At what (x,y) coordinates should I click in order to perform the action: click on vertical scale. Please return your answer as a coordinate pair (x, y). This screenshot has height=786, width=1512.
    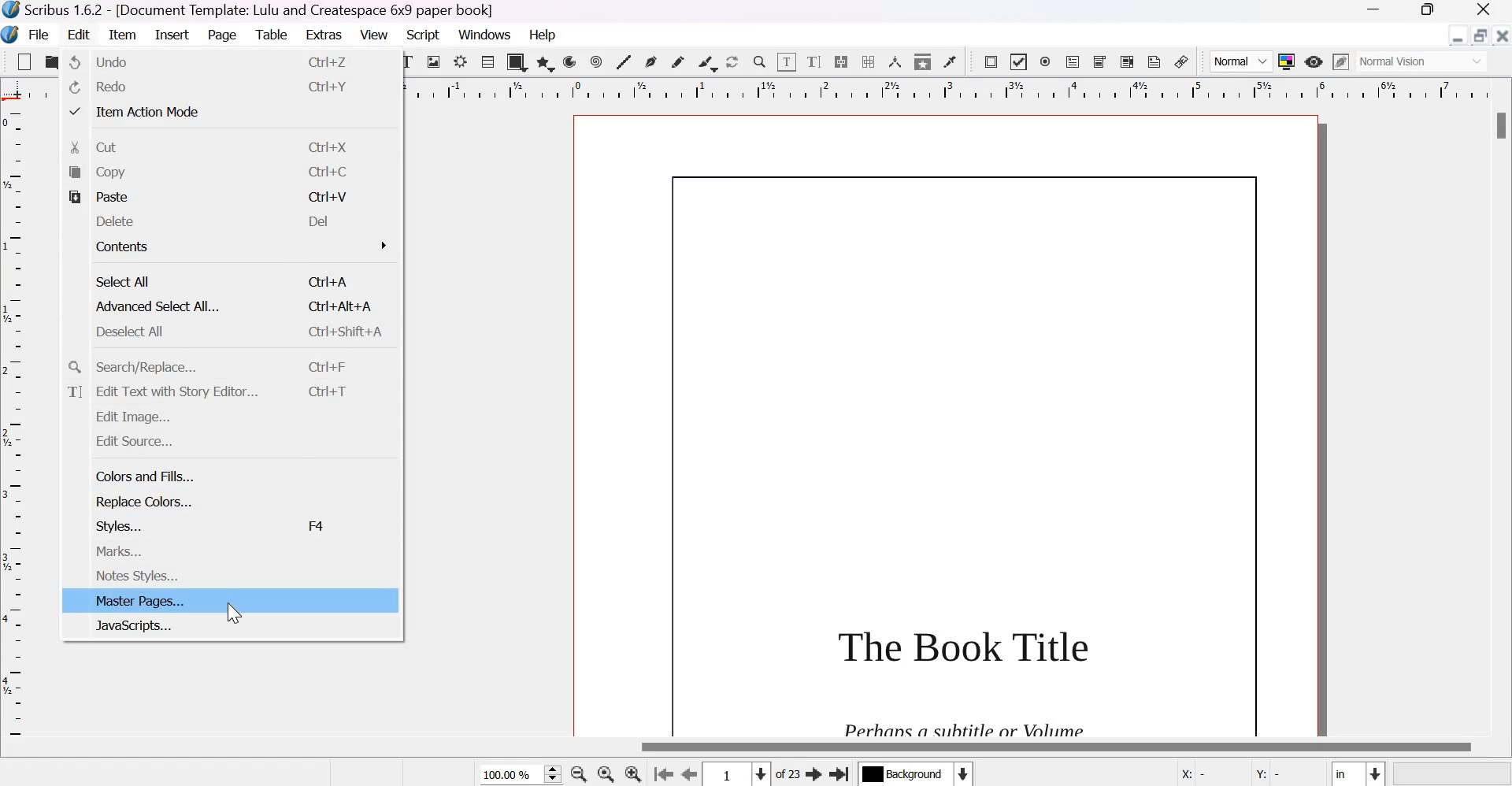
    Looking at the image, I should click on (16, 418).